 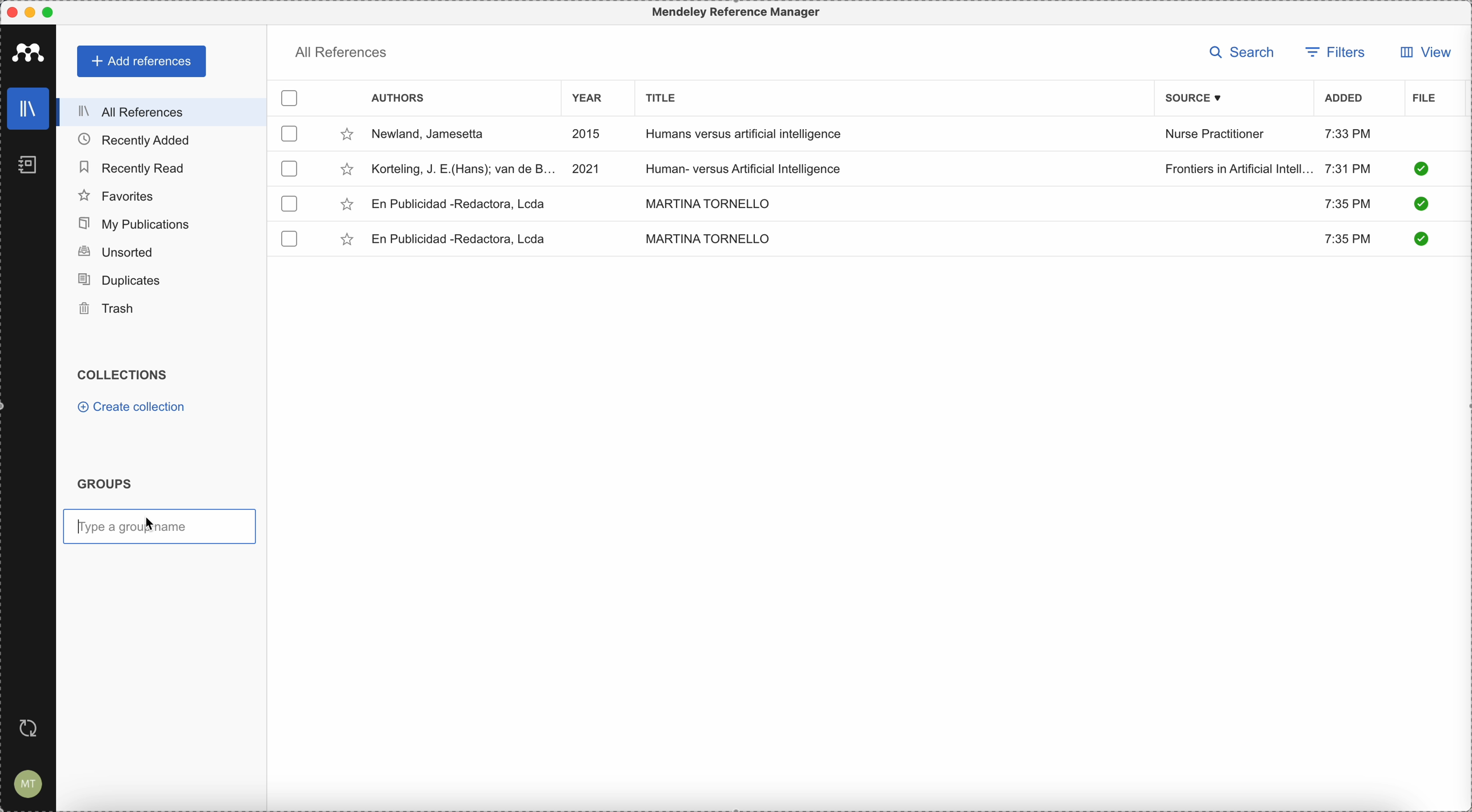 I want to click on 7:35 PM, so click(x=1350, y=240).